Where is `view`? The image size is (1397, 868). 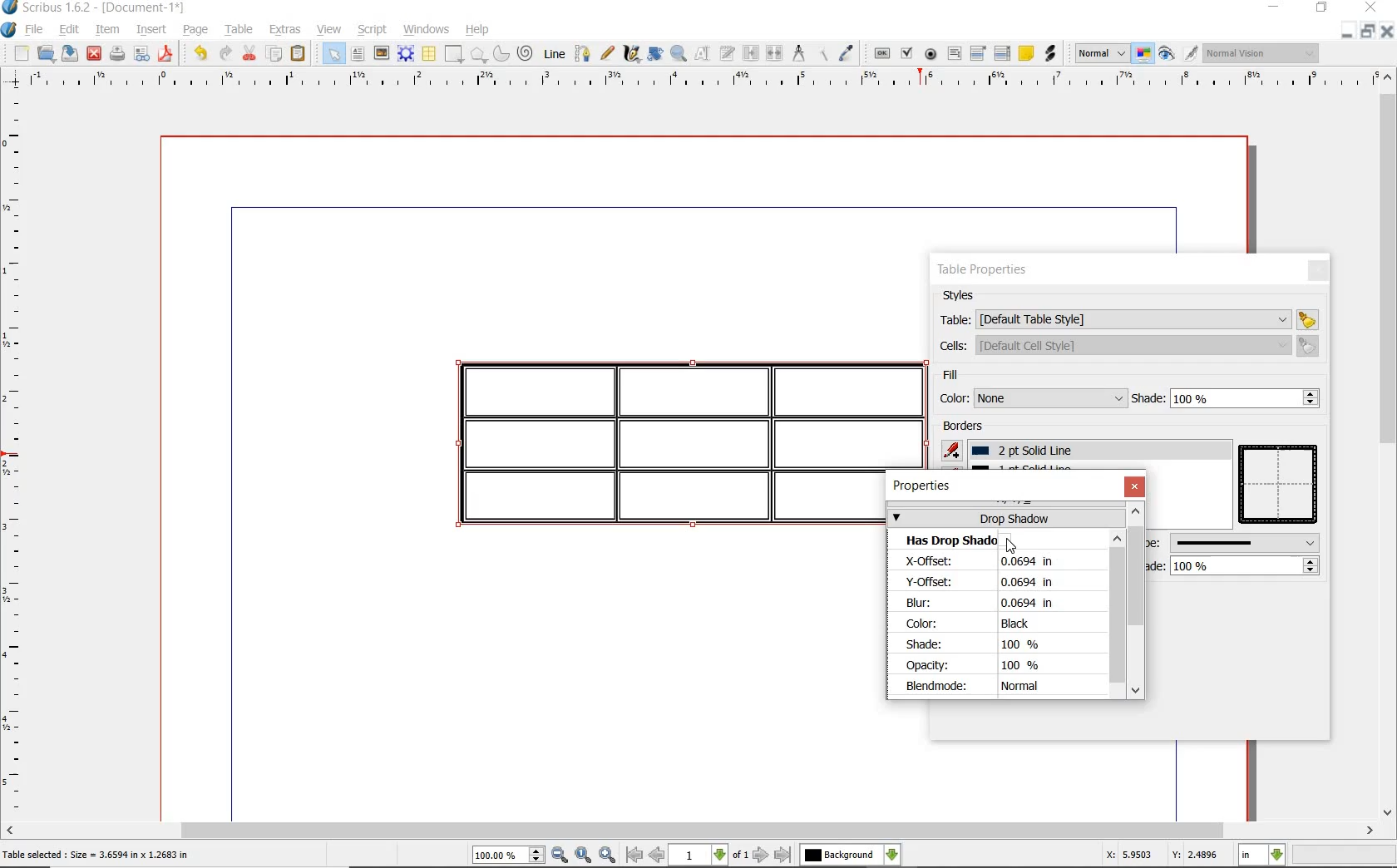
view is located at coordinates (329, 29).